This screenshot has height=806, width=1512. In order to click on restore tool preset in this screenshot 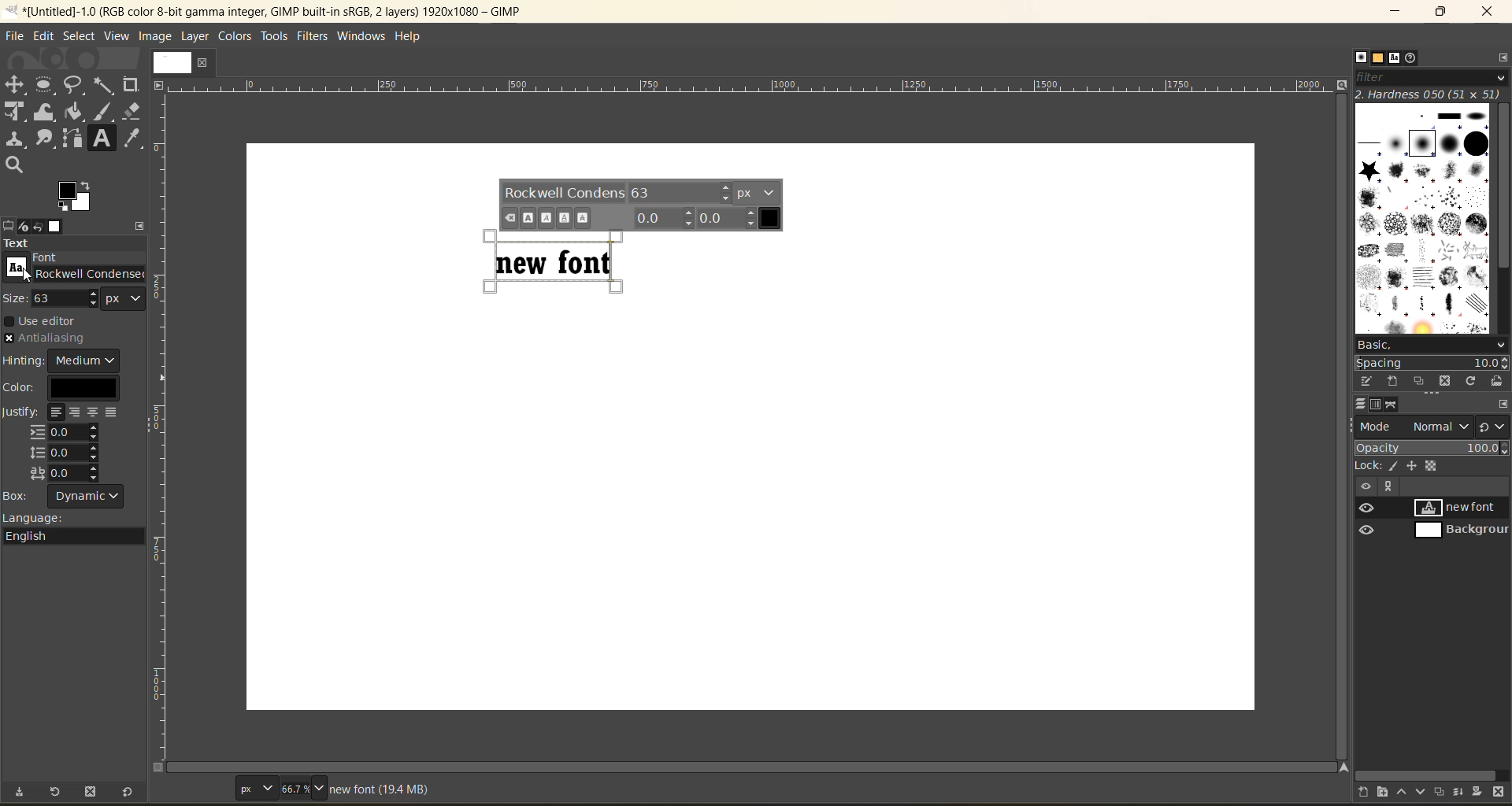, I will do `click(57, 793)`.